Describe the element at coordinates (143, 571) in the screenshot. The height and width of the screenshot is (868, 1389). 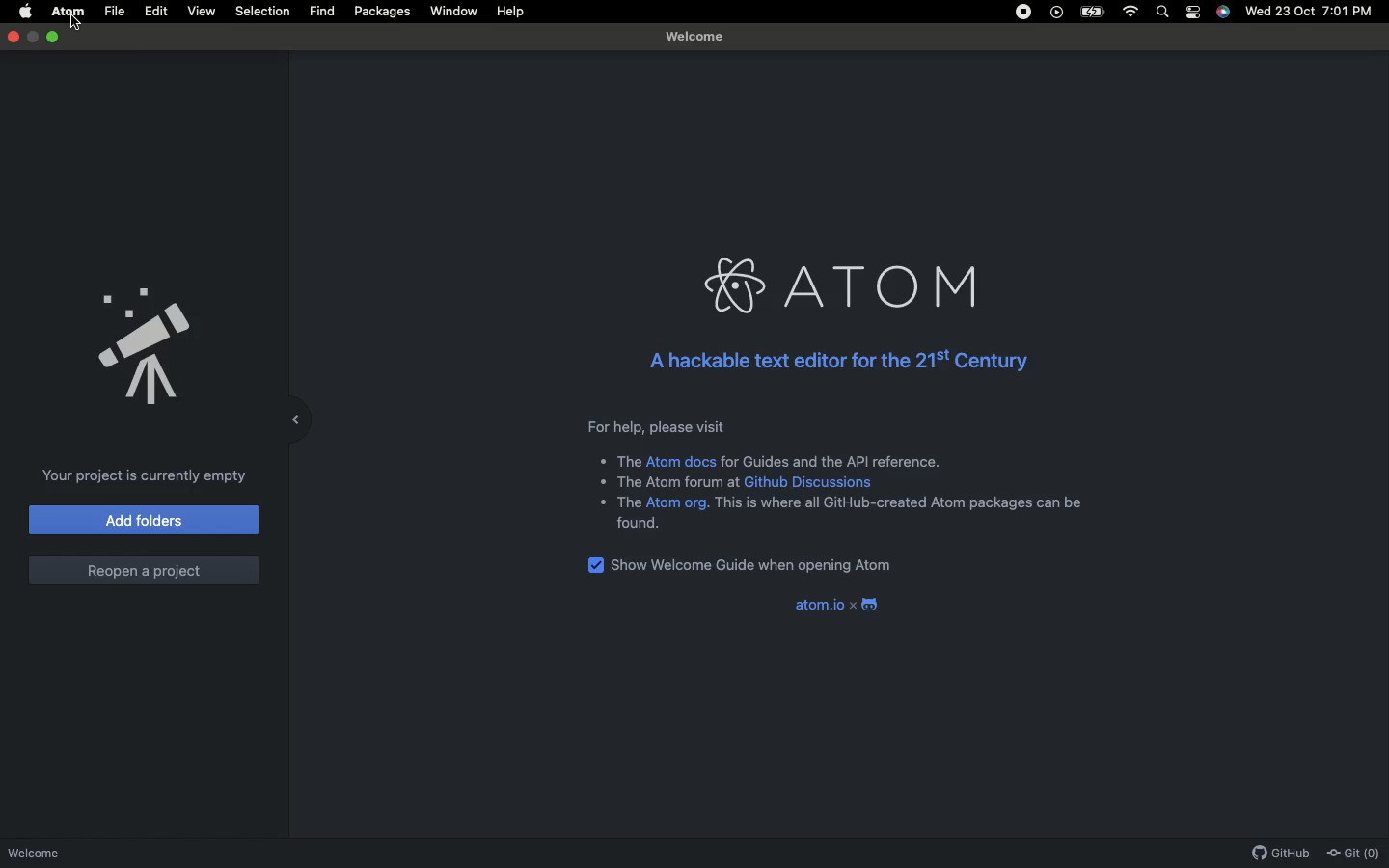
I see `Reopen a project` at that location.